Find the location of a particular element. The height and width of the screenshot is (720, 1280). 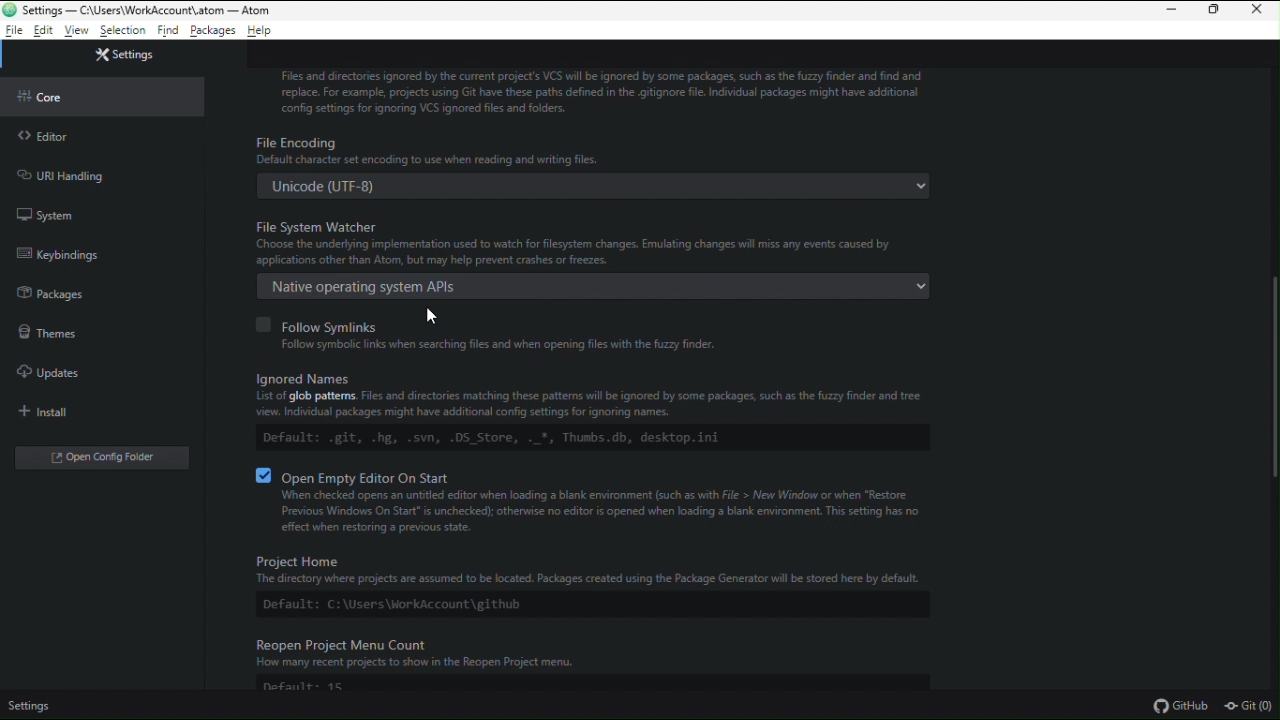

Close is located at coordinates (1261, 12).